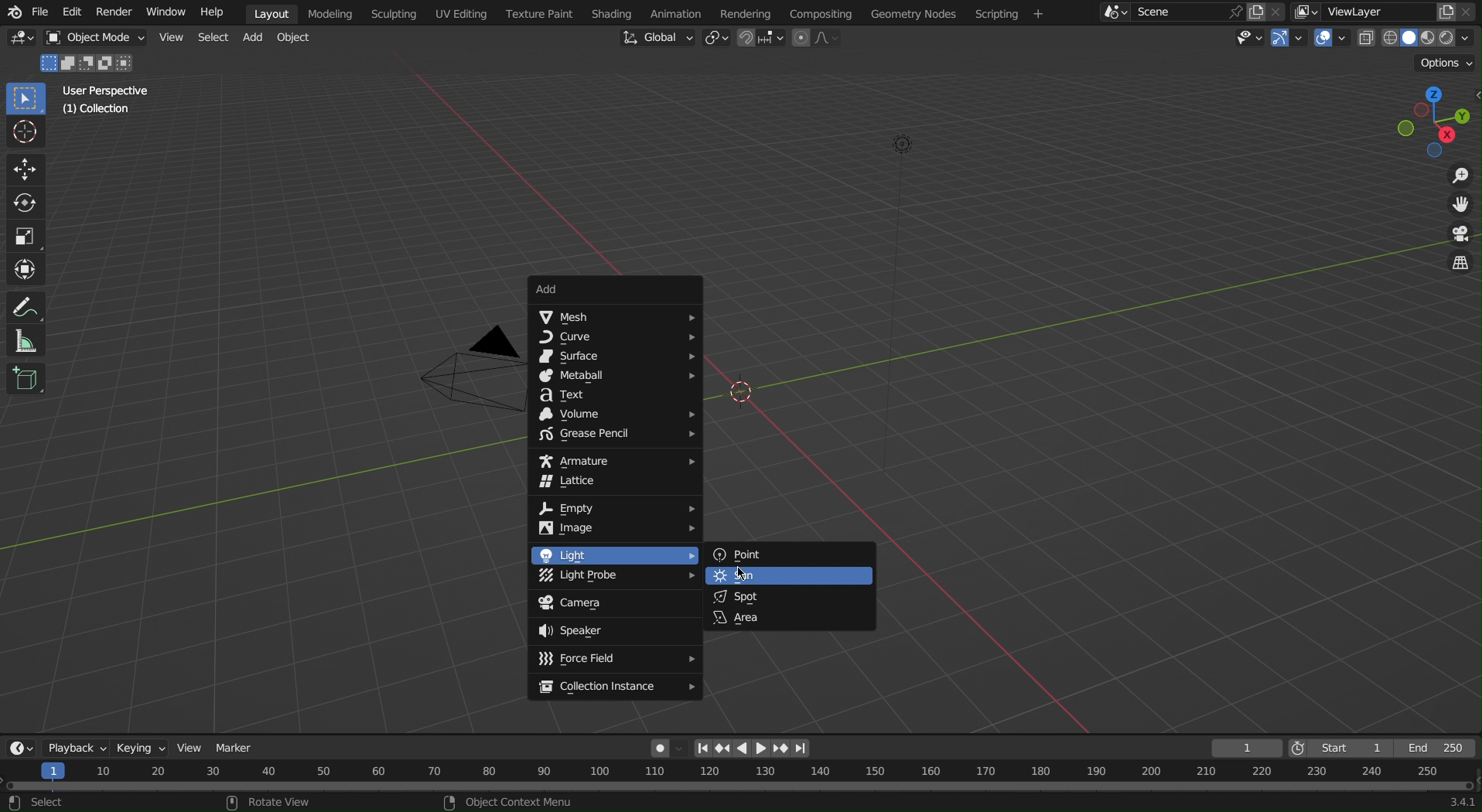  Describe the element at coordinates (299, 39) in the screenshot. I see `Object` at that location.